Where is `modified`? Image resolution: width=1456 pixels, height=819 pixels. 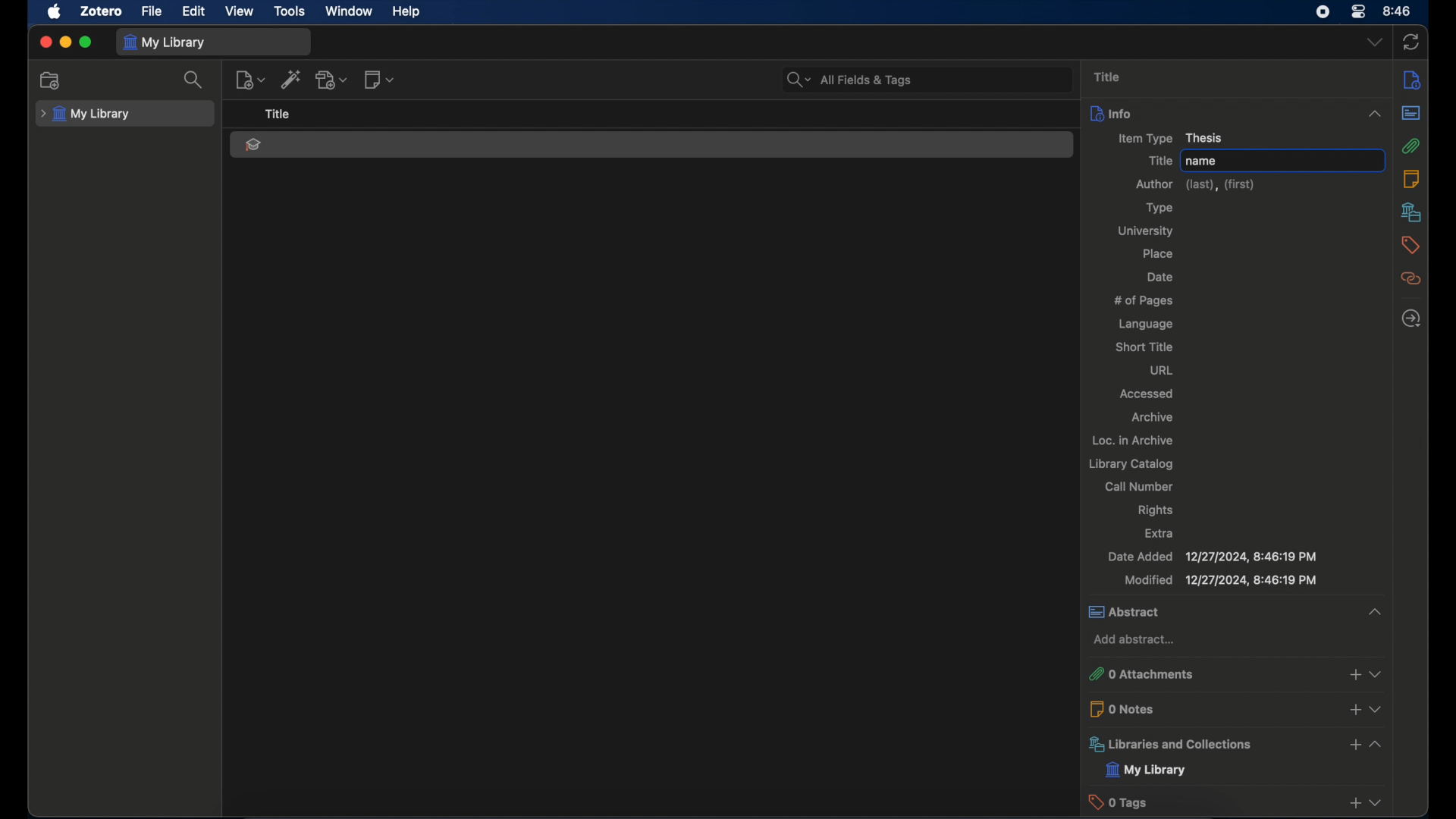 modified is located at coordinates (1220, 581).